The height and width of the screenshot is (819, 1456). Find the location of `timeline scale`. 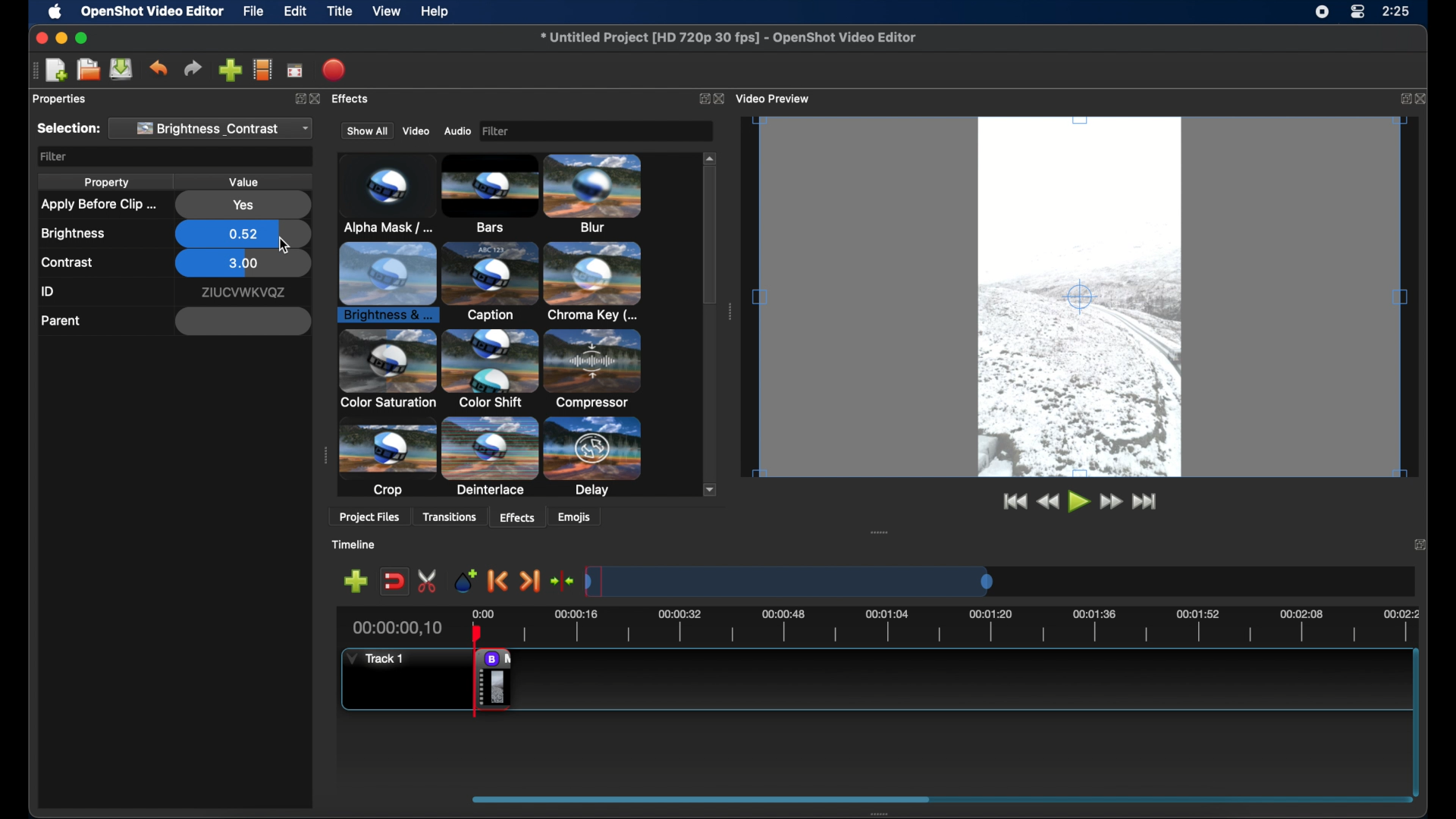

timeline scale is located at coordinates (953, 579).